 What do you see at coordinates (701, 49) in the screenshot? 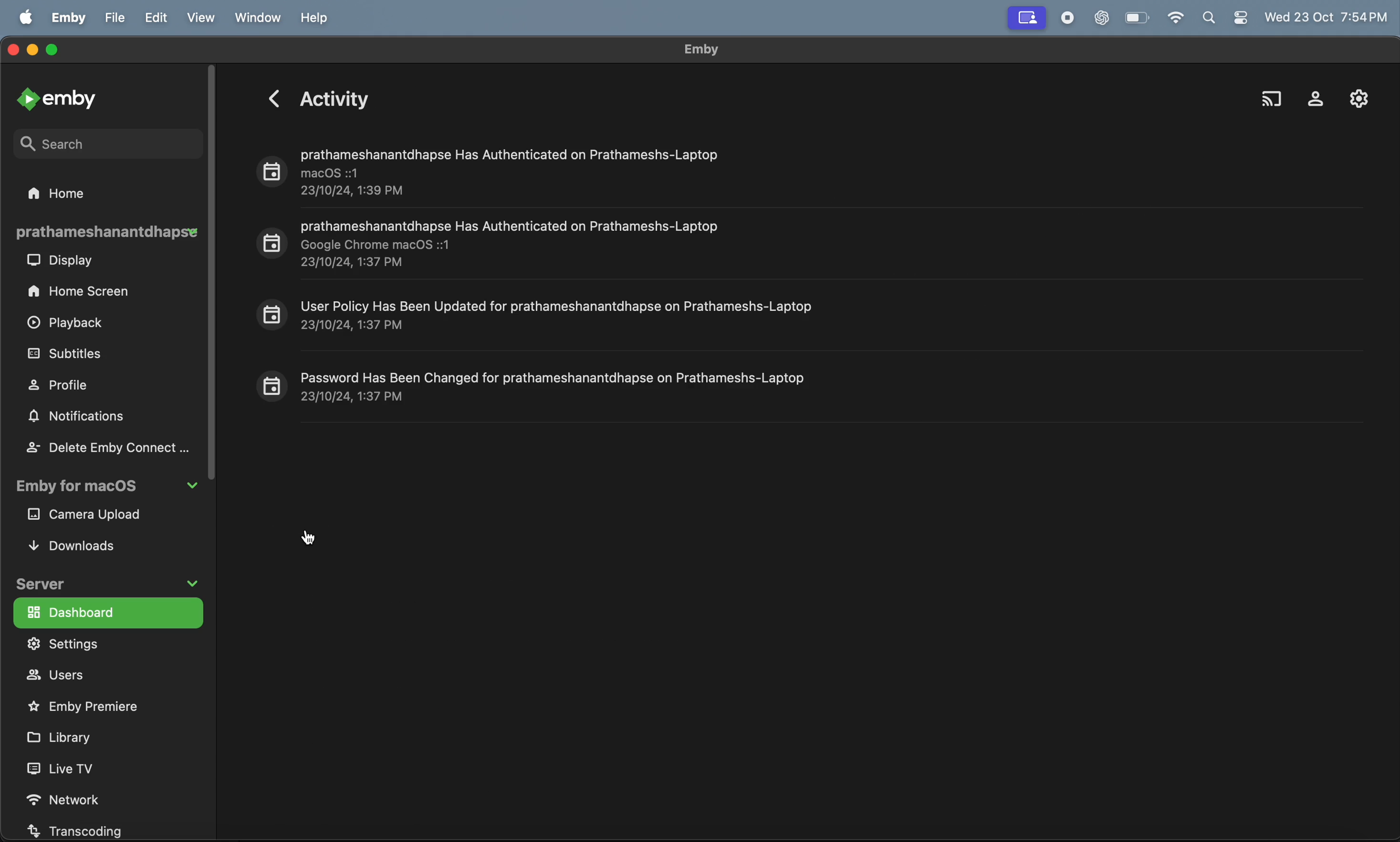
I see `emby` at bounding box center [701, 49].